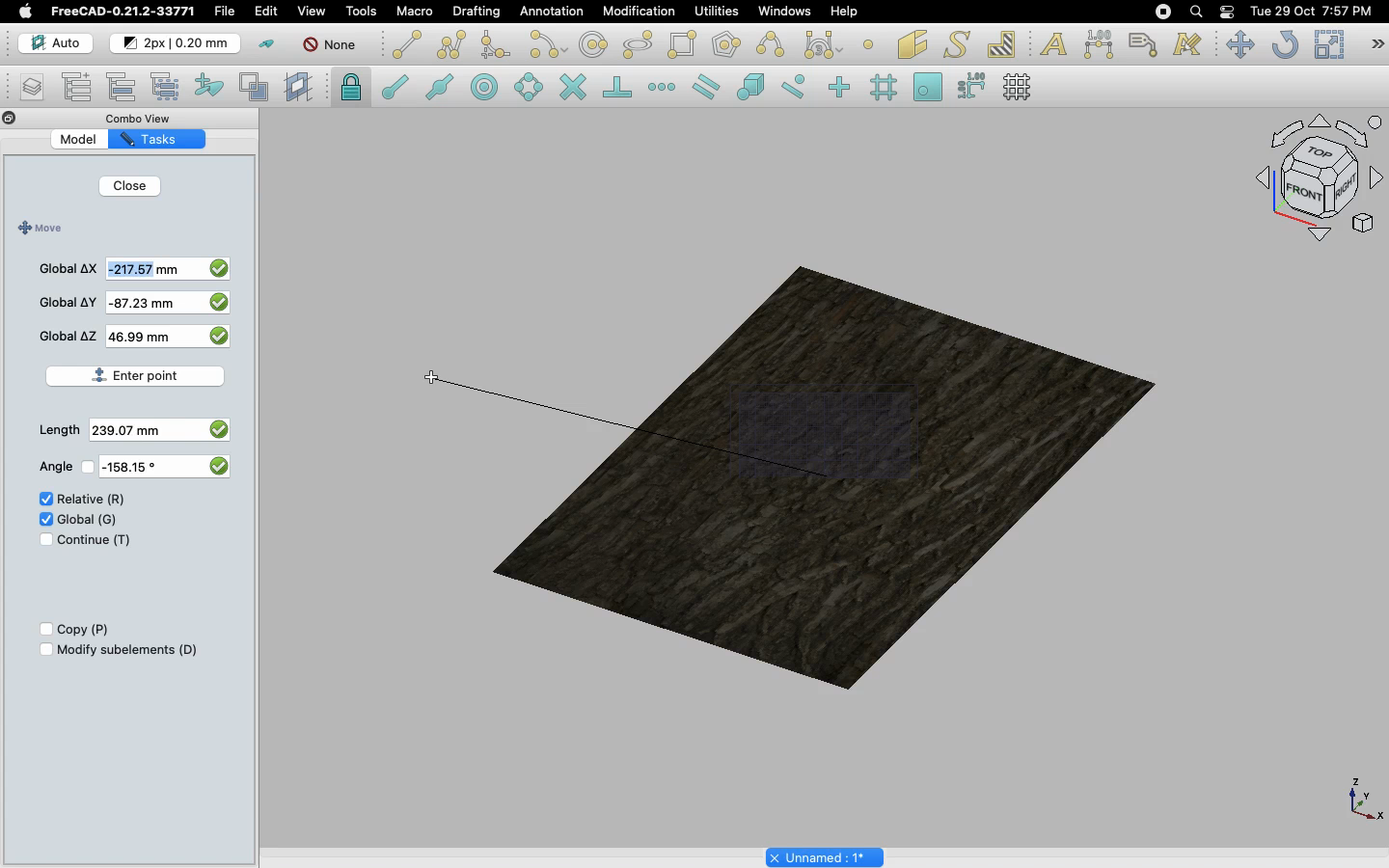 The height and width of the screenshot is (868, 1389). I want to click on Modification, so click(643, 14).